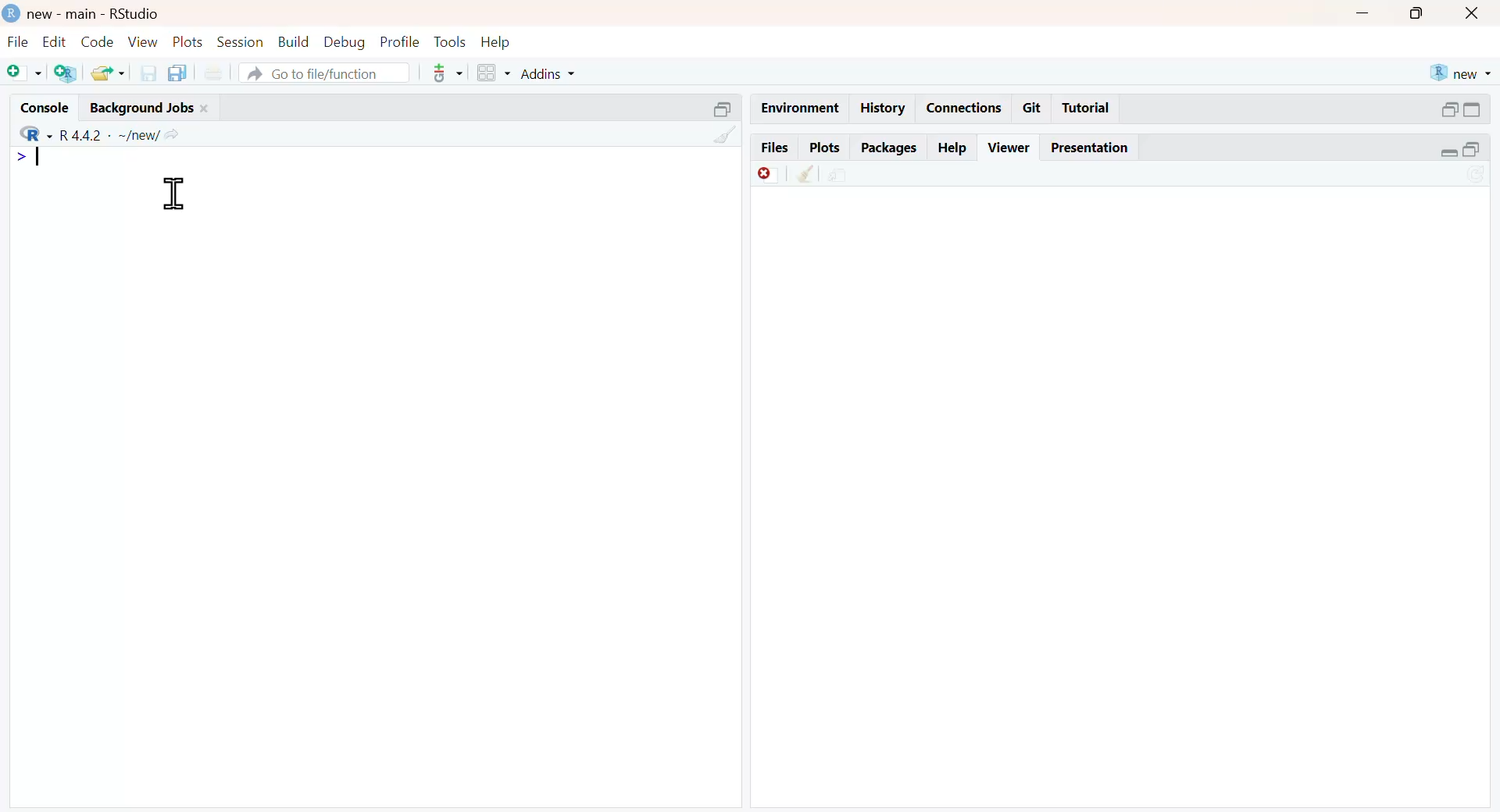 The width and height of the screenshot is (1500, 812). I want to click on sync, so click(1476, 175).